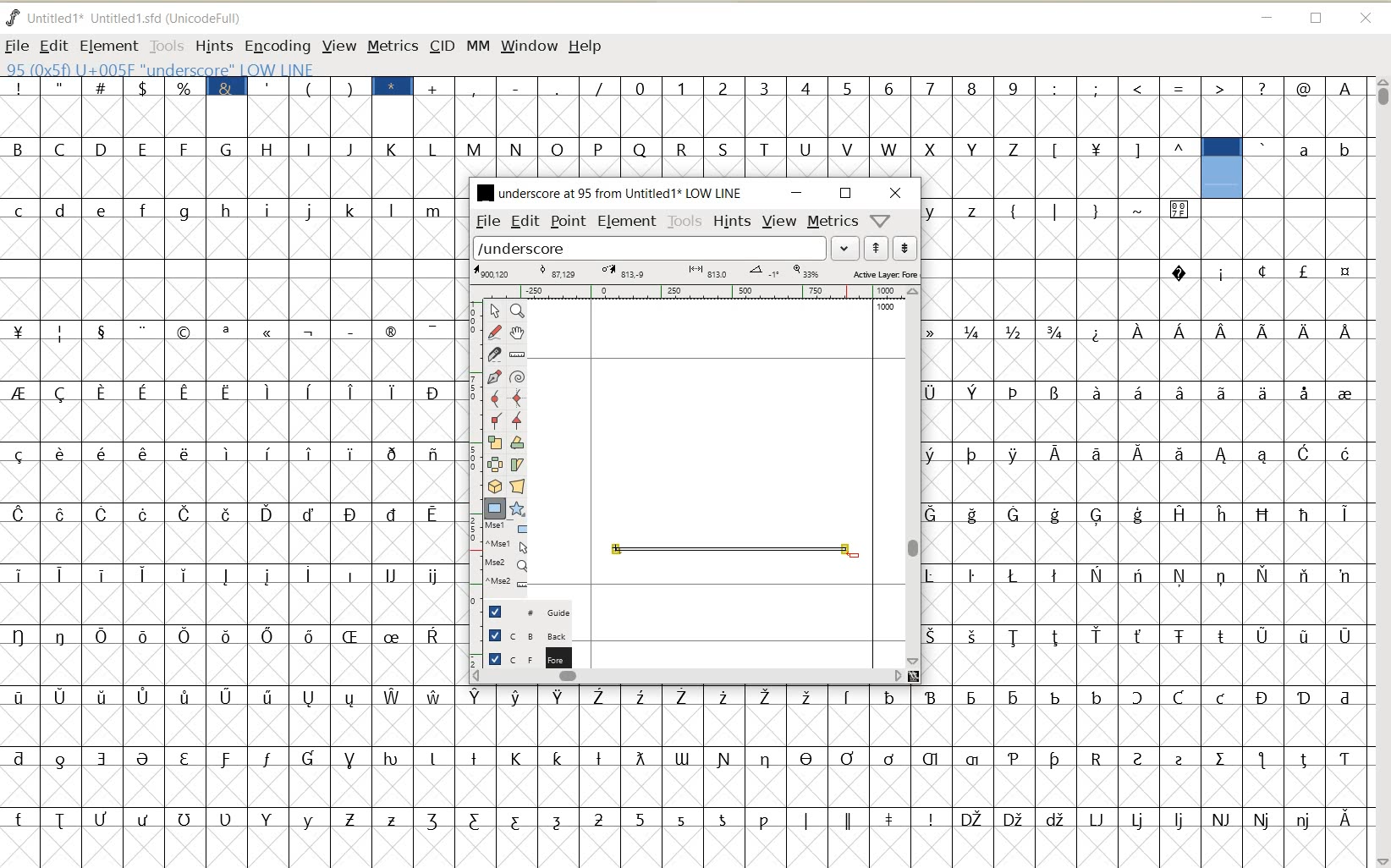 This screenshot has width=1391, height=868. I want to click on cut splines in two, so click(492, 354).